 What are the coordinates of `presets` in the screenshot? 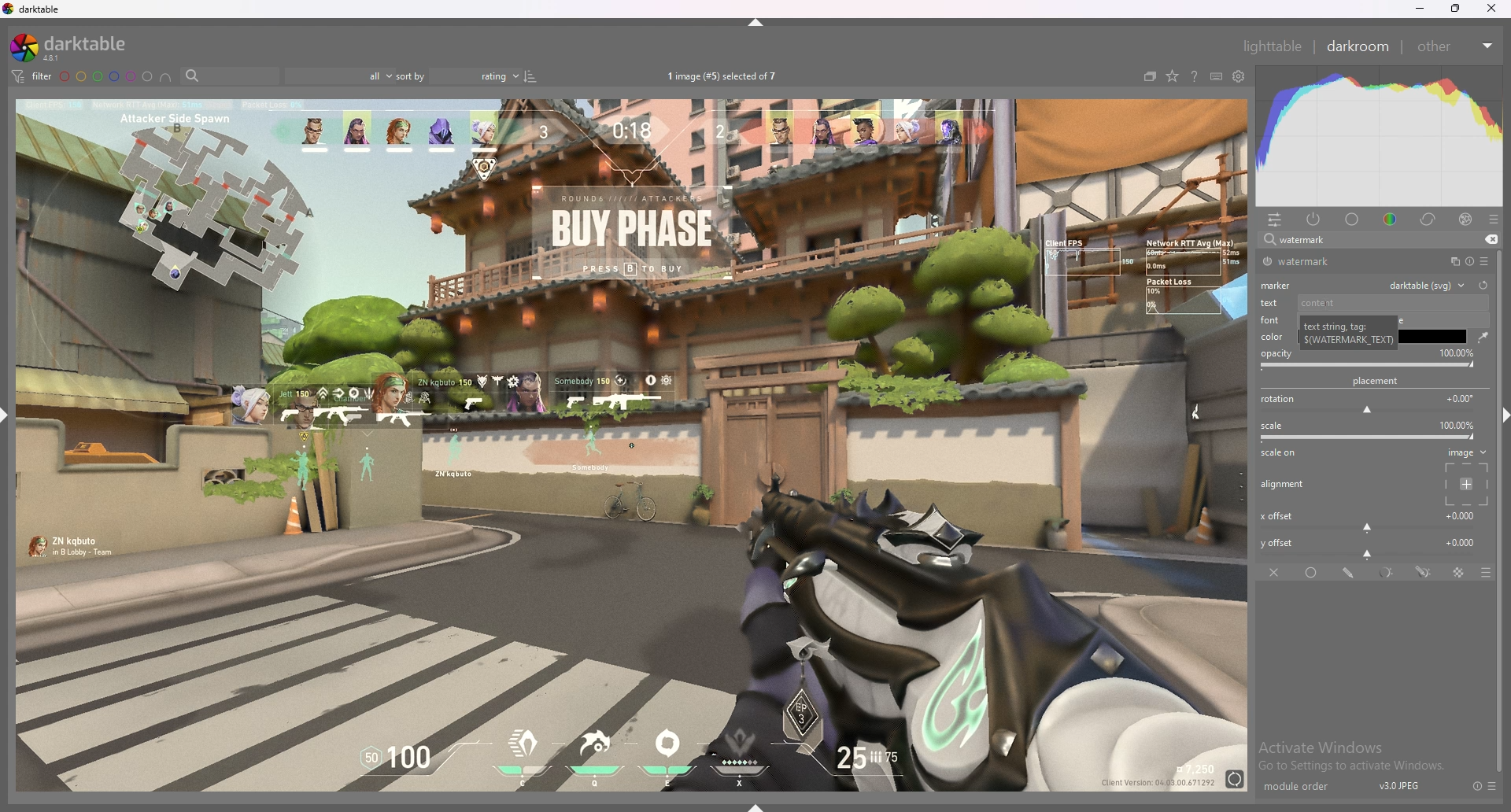 It's located at (1493, 786).